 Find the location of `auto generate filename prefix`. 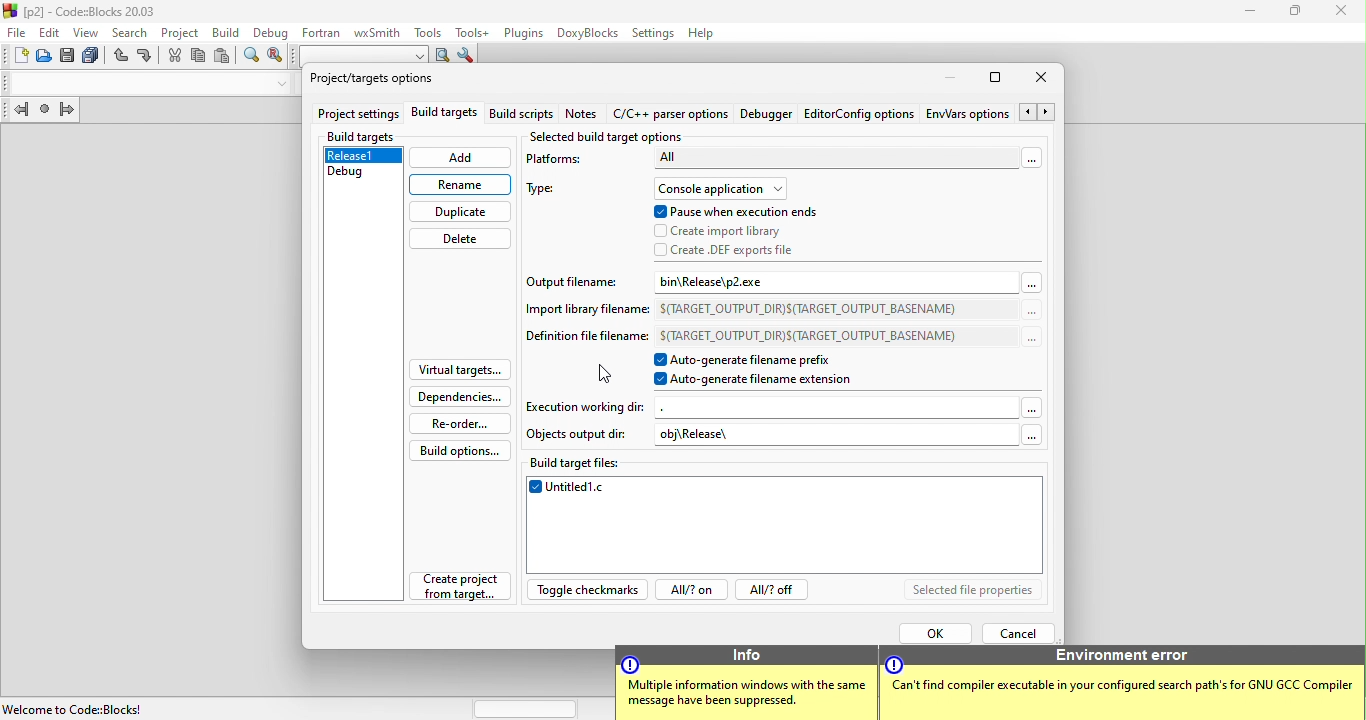

auto generate filename prefix is located at coordinates (765, 360).